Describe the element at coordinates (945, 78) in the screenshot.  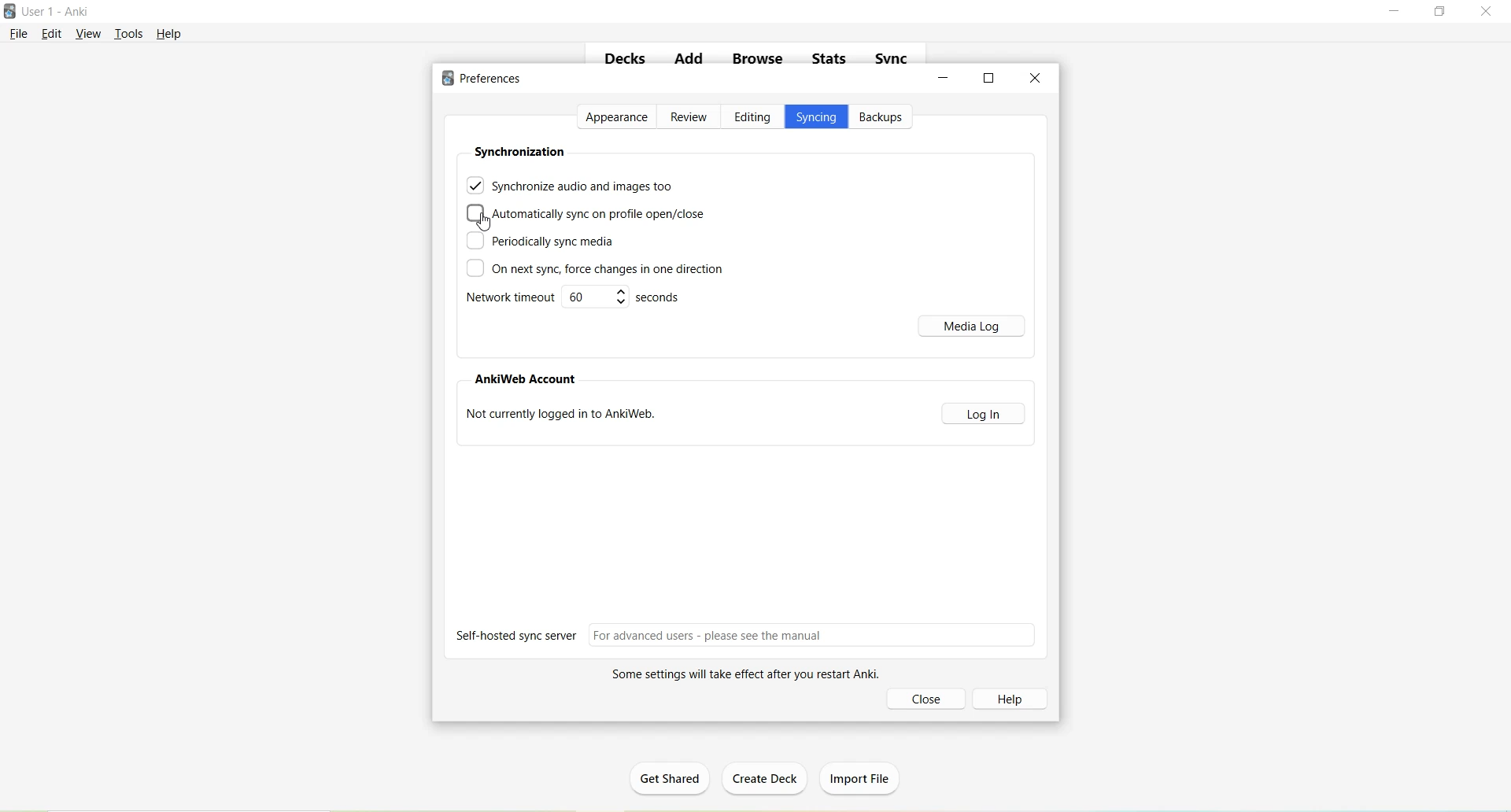
I see `Minimize` at that location.